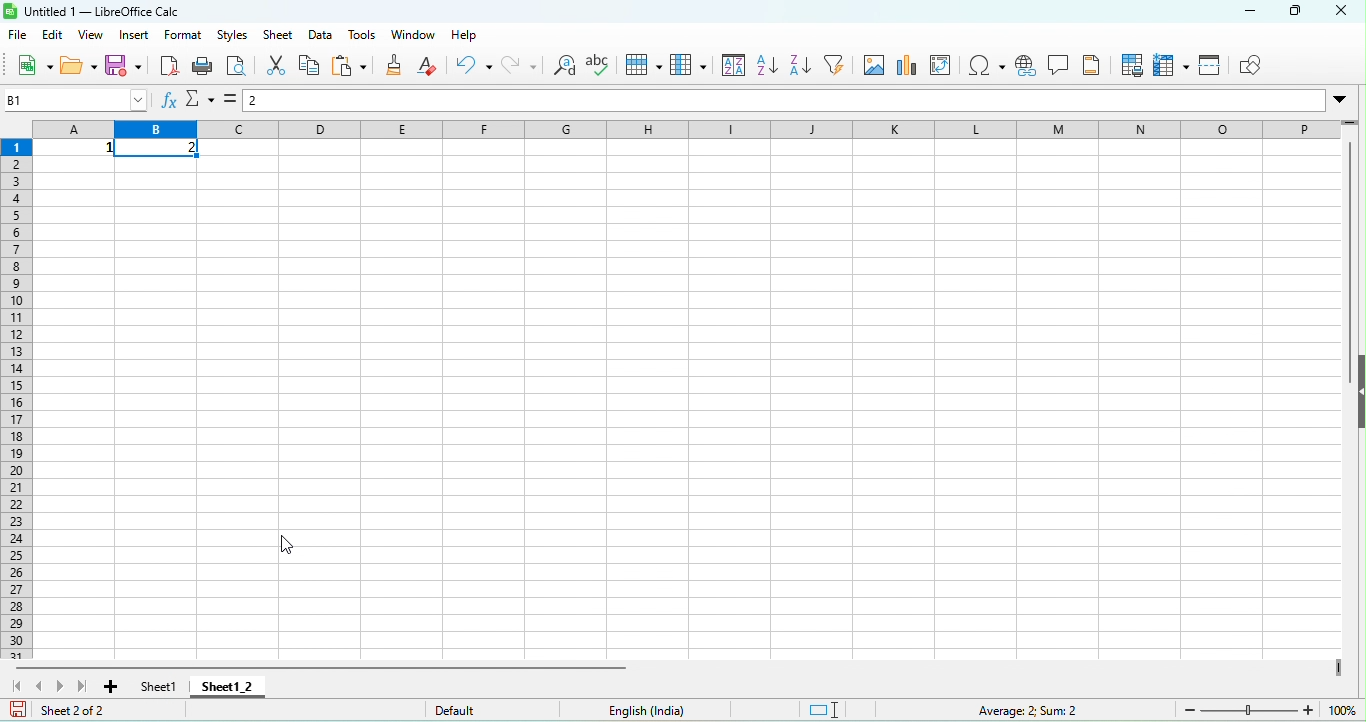 The width and height of the screenshot is (1366, 722). I want to click on zoom, so click(1272, 710).